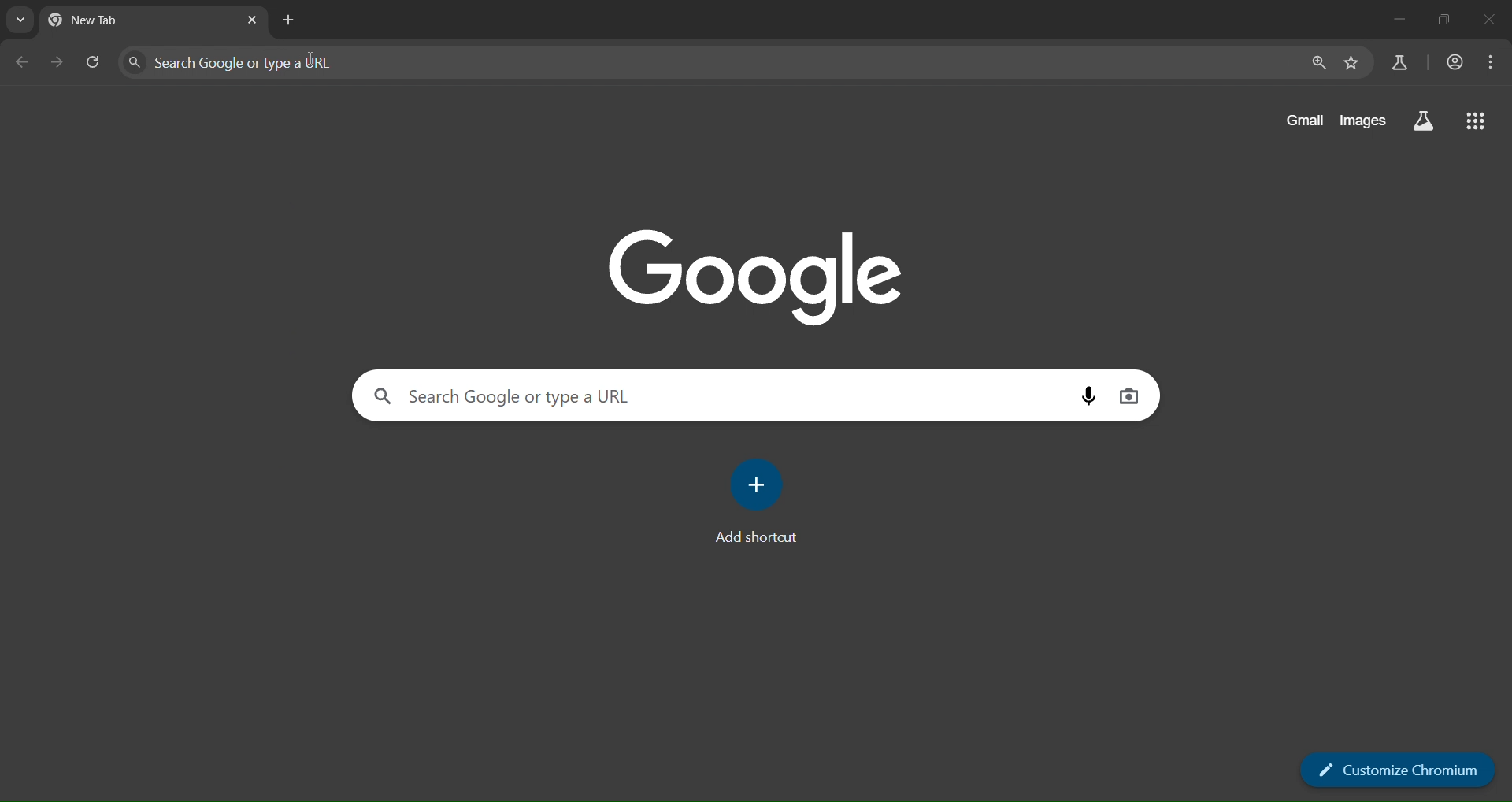 The image size is (1512, 802). Describe the element at coordinates (761, 502) in the screenshot. I see `add shortcut` at that location.